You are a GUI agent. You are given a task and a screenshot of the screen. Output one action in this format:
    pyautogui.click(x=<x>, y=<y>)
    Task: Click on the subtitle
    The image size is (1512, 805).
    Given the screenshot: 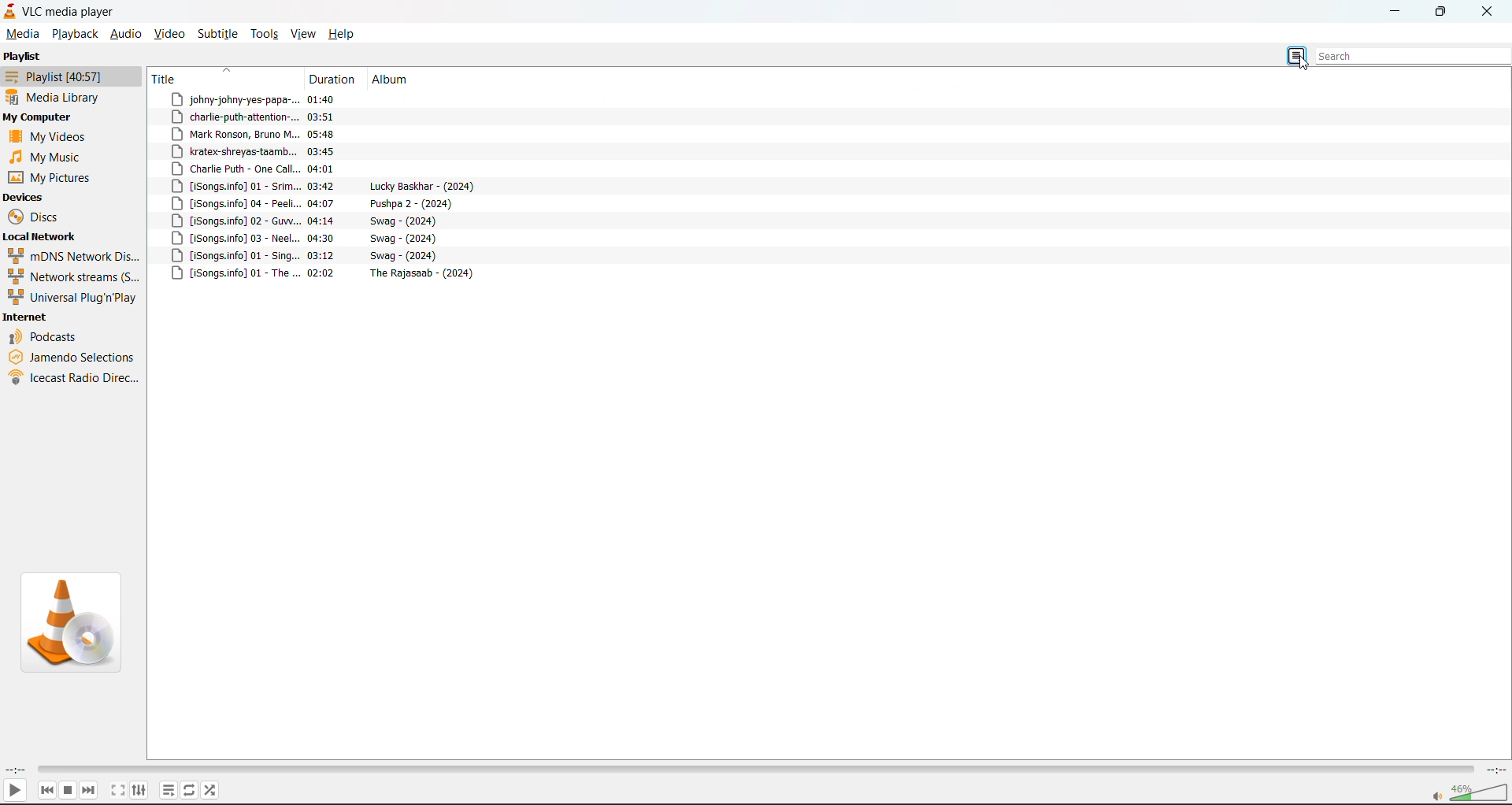 What is the action you would take?
    pyautogui.click(x=217, y=33)
    